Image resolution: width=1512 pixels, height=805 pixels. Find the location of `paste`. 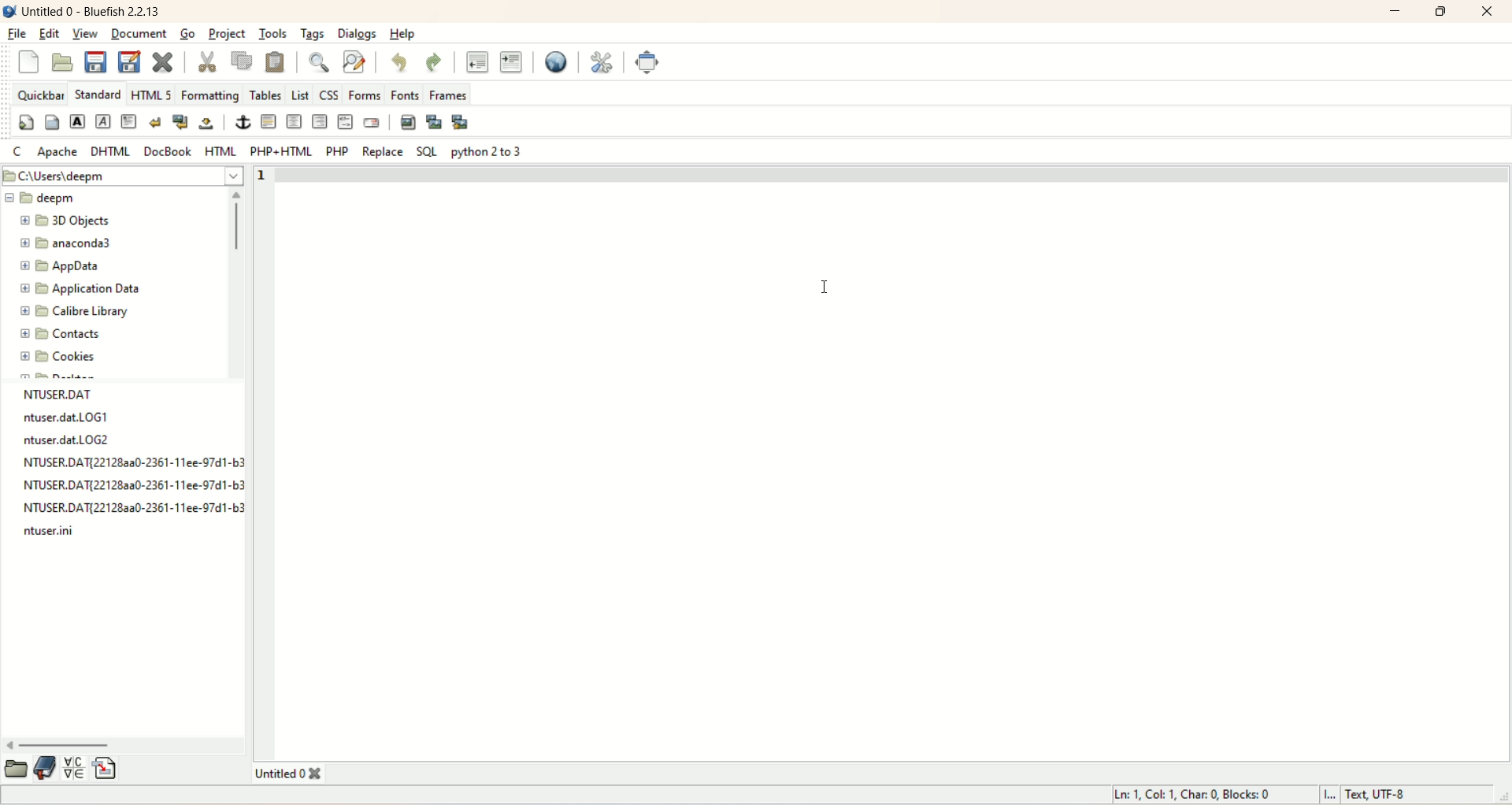

paste is located at coordinates (276, 61).